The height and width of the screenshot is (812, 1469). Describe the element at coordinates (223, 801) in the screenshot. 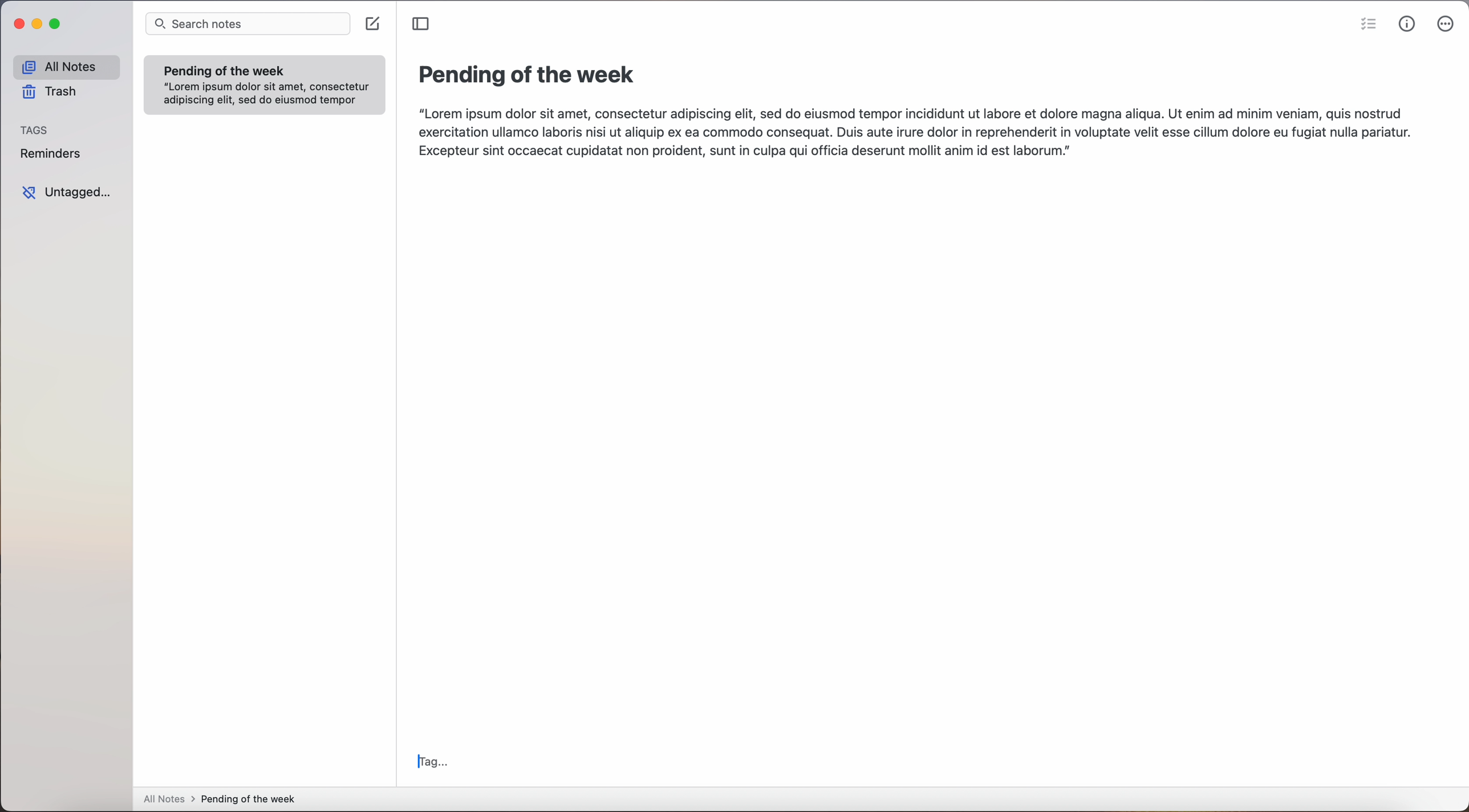

I see `all notes > Pending of the week` at that location.